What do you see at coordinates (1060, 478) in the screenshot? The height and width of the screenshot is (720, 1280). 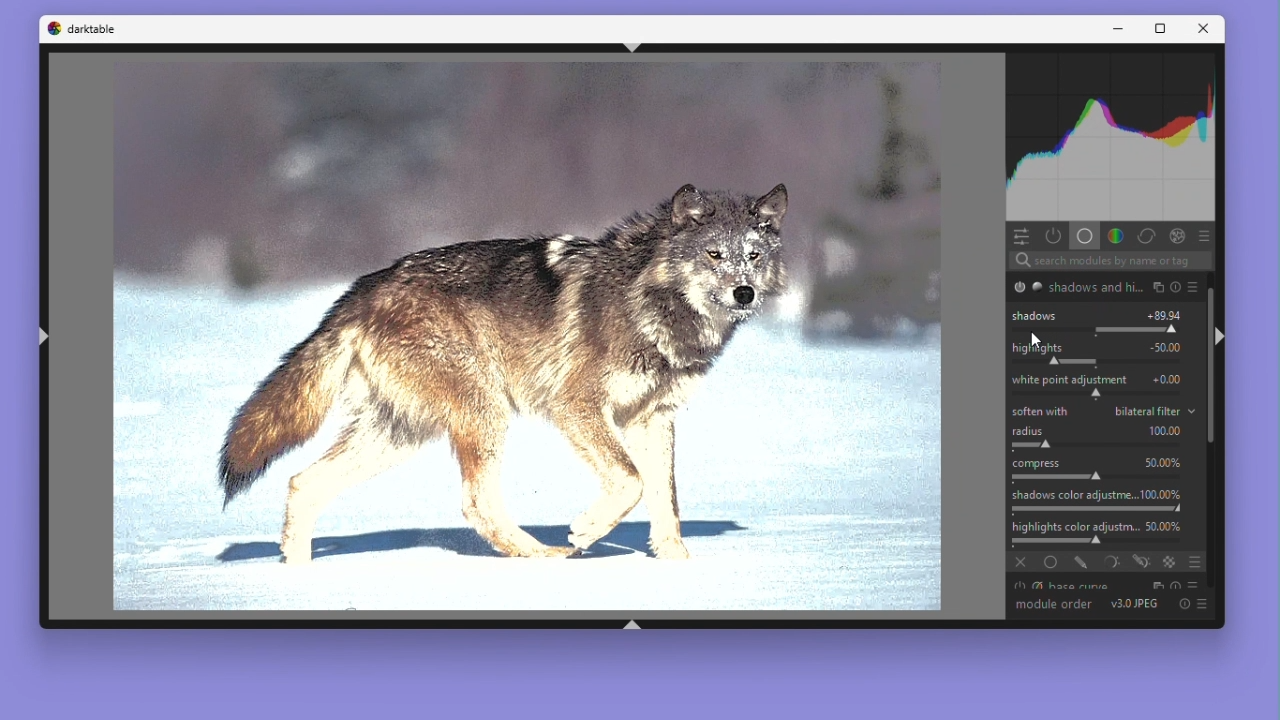 I see `compress the effect on shadows/highligths and preserve mid-tones` at bounding box center [1060, 478].